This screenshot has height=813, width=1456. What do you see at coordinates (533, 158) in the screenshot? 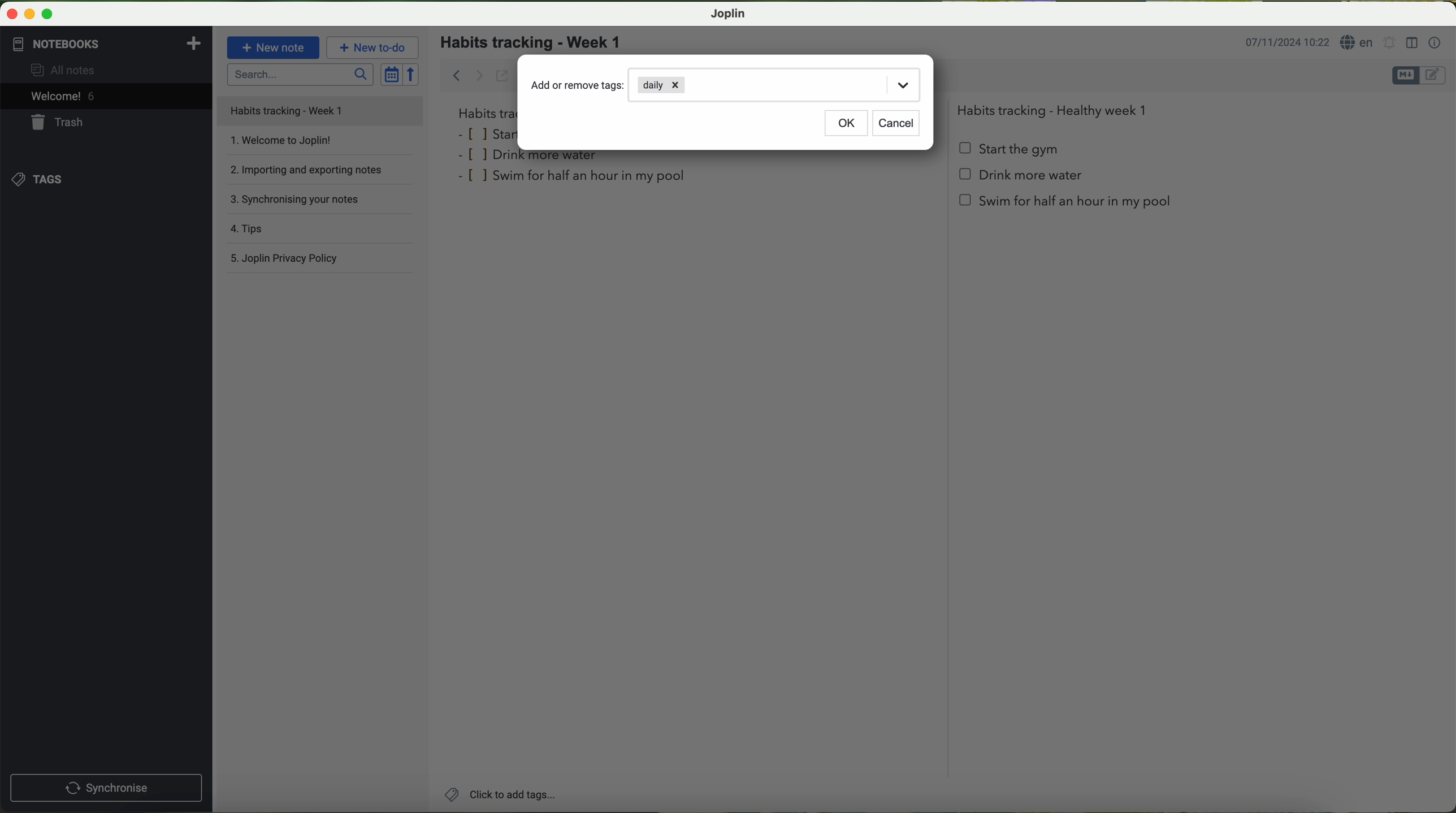
I see `drink more water` at bounding box center [533, 158].